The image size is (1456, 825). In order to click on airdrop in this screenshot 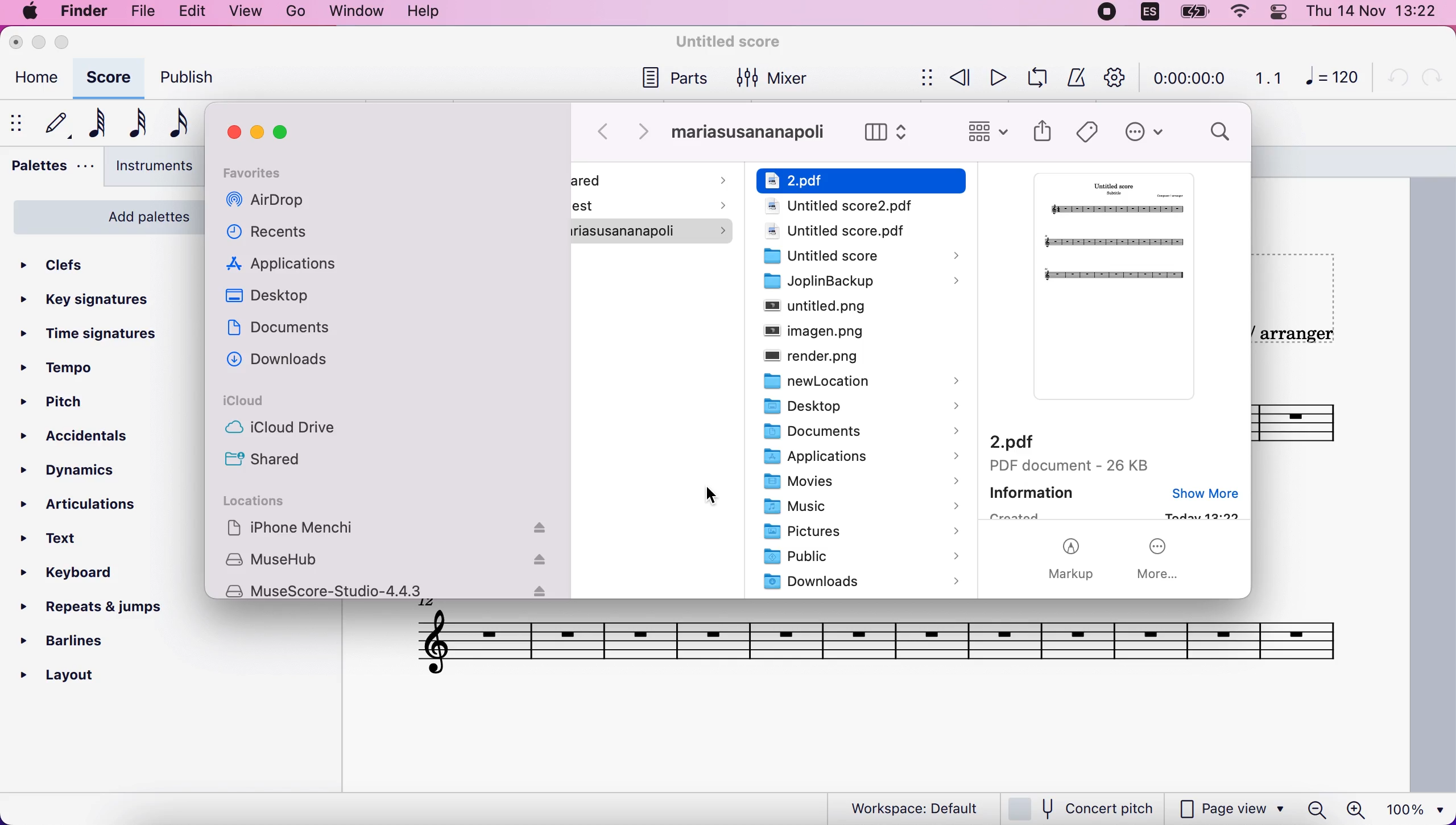, I will do `click(271, 203)`.